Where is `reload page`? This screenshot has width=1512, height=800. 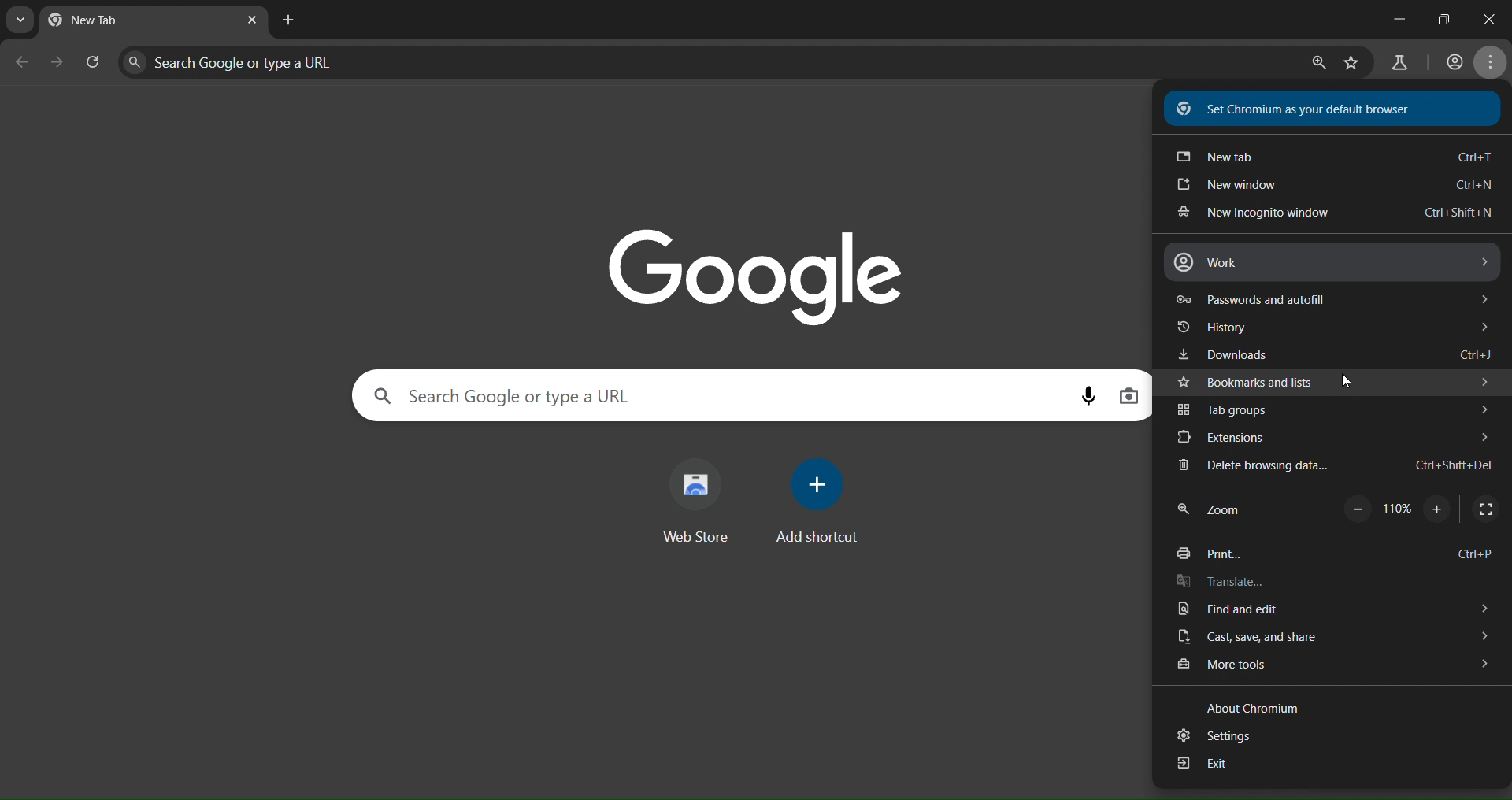 reload page is located at coordinates (94, 60).